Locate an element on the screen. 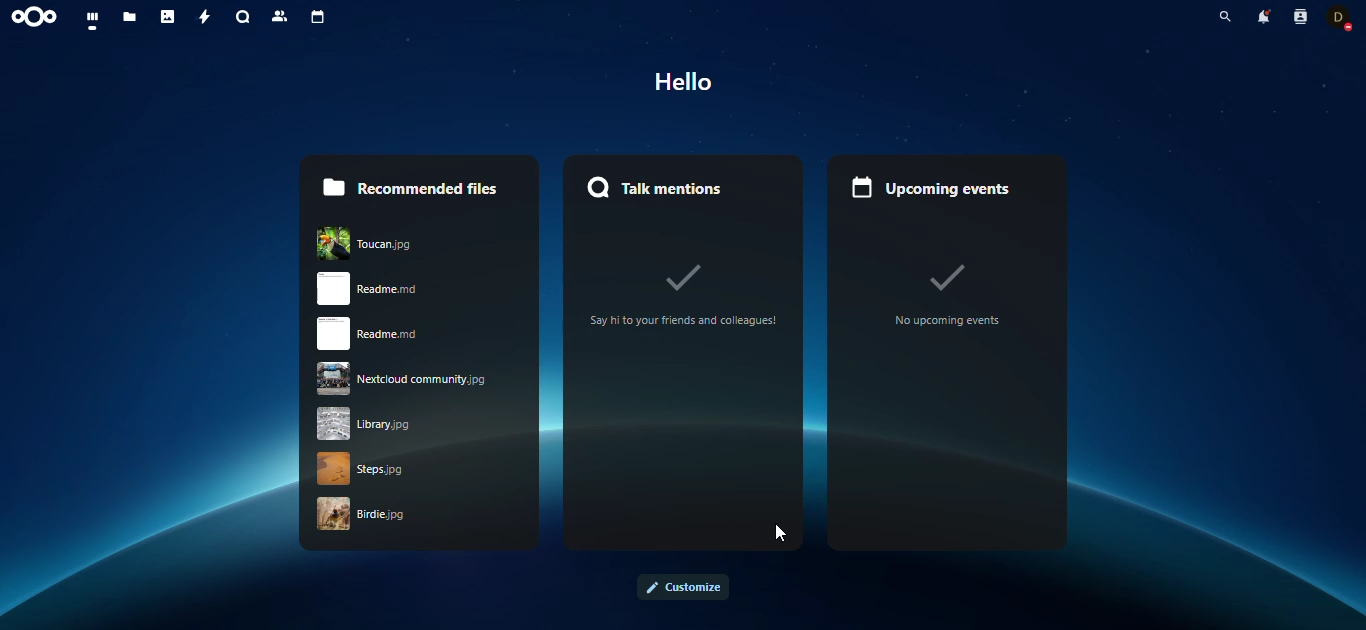  no upcoming events is located at coordinates (966, 292).